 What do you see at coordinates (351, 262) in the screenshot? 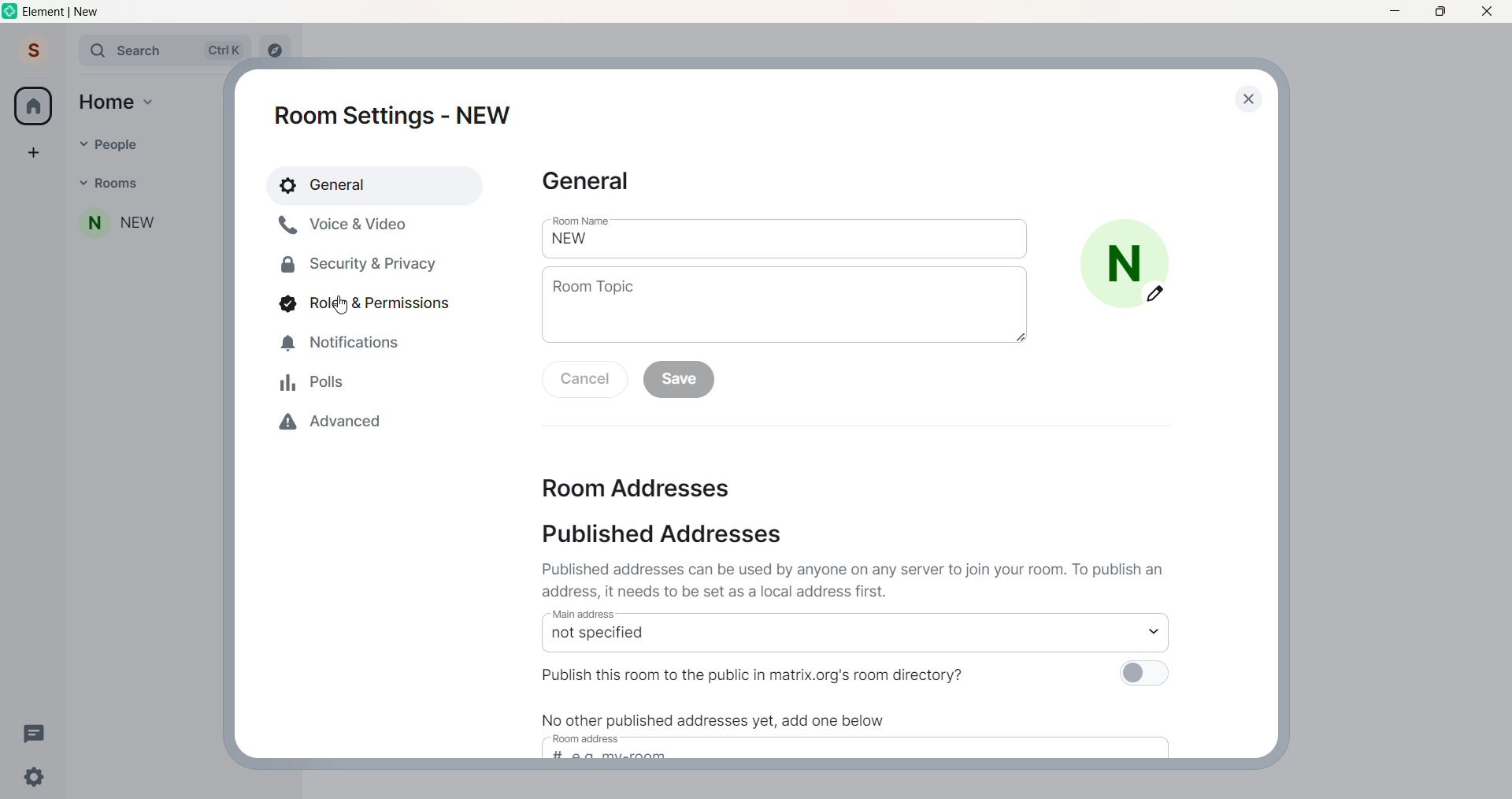
I see `security and privacy` at bounding box center [351, 262].